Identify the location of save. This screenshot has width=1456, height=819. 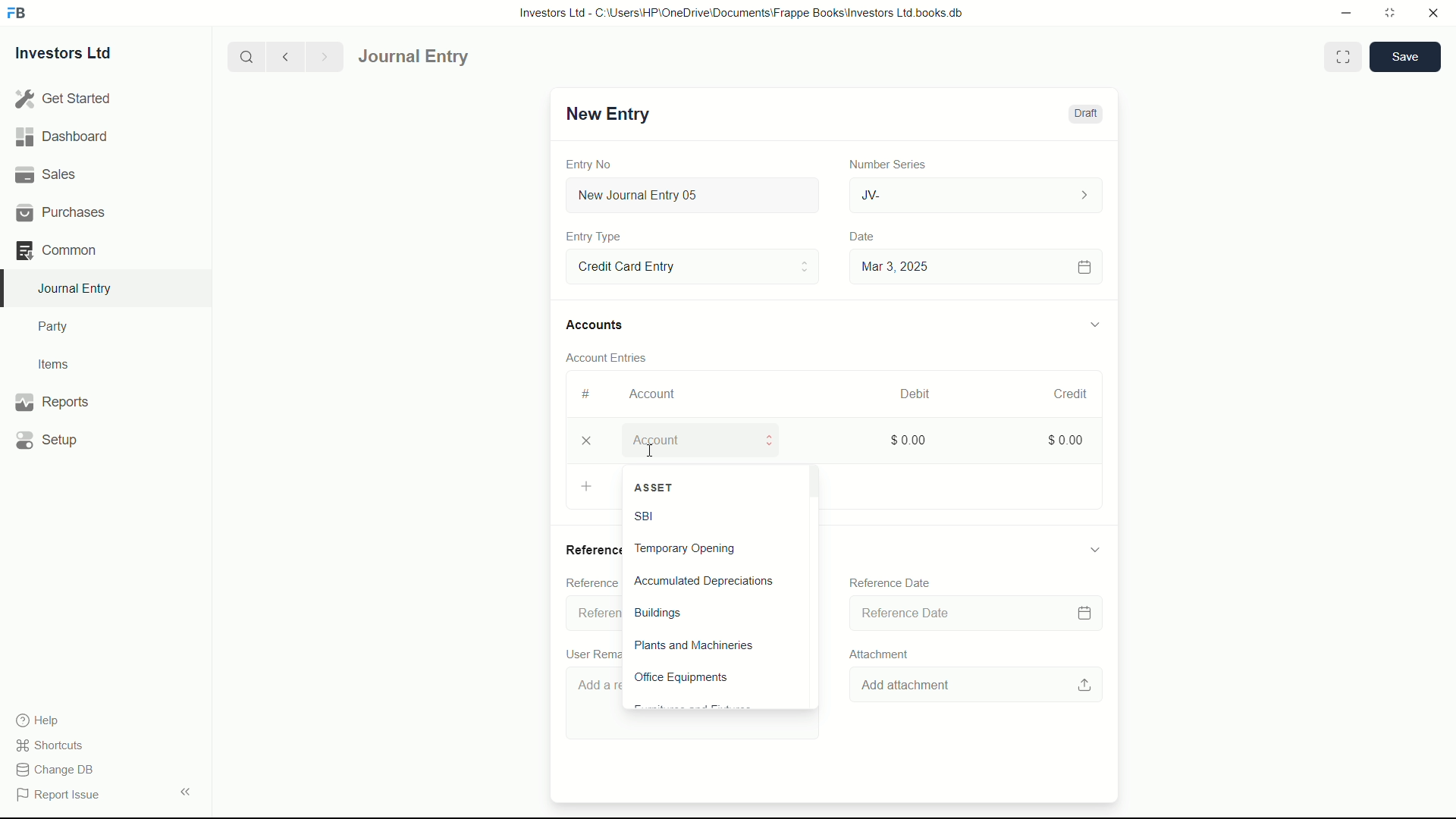
(1406, 57).